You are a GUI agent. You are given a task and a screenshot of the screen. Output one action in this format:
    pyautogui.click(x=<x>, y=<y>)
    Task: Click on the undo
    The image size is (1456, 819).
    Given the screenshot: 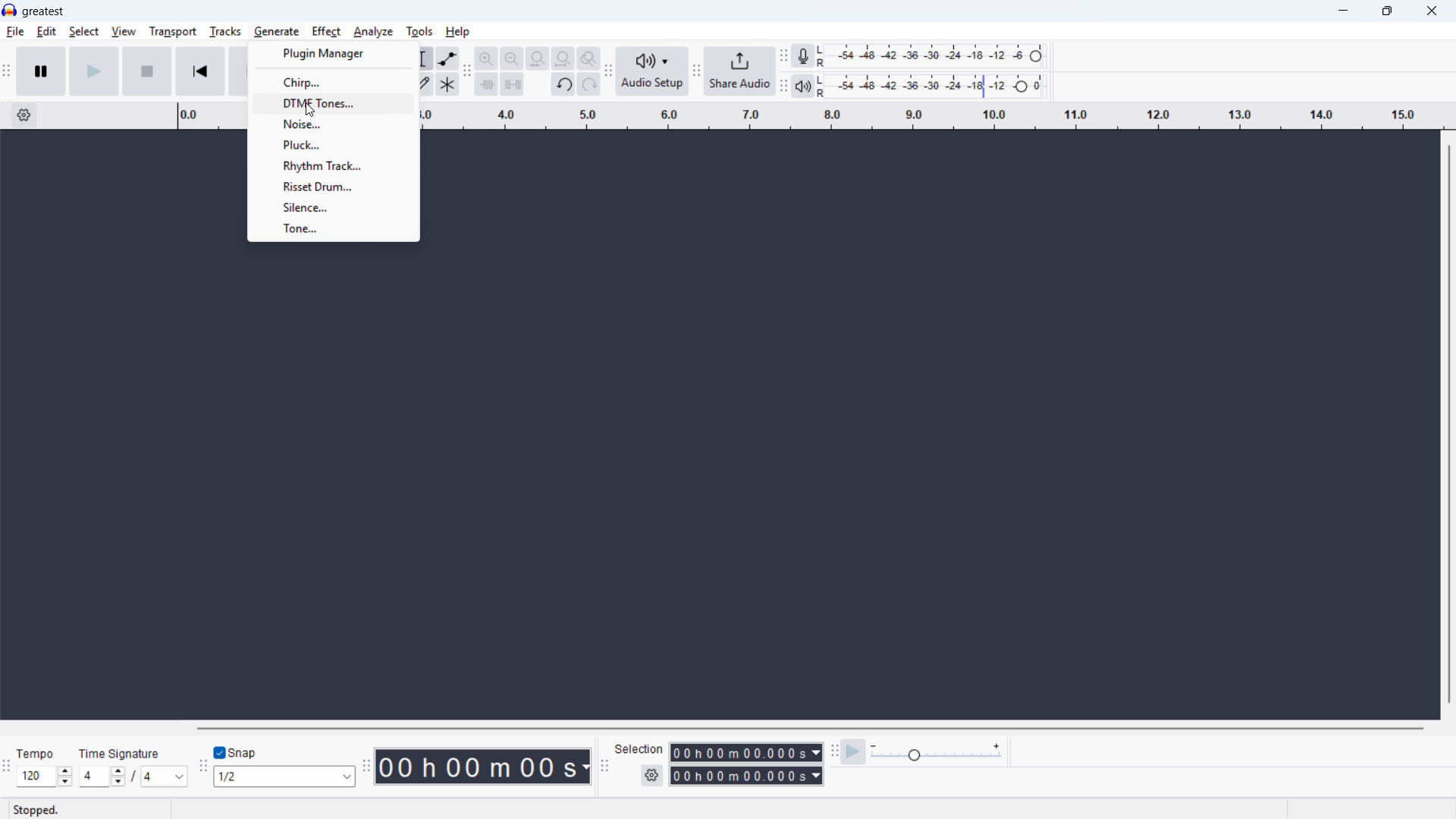 What is the action you would take?
    pyautogui.click(x=563, y=86)
    